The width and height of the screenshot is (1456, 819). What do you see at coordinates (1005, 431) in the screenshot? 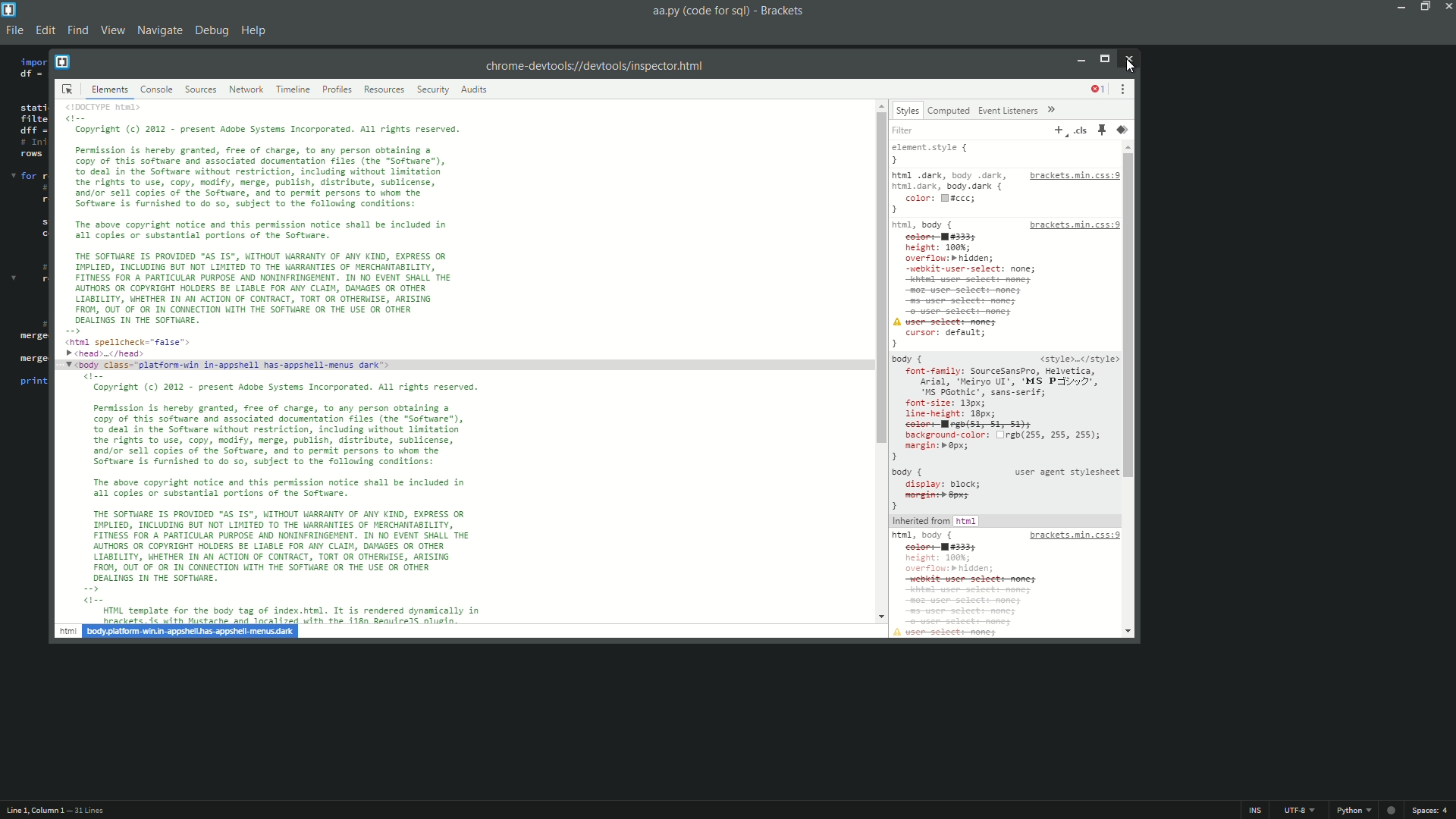
I see `body { <style>_</style>
font-family: SourceSansPro, Helvetica,
Arial, ‘Meiryo UI', "MS Pv’,
*MS PGothic’, sans-serif;
font-size: 13px;
line-height: 18px;
estore fllngh(53; 51, 513+
background-color: [Irgb(255, 255, 255);
margin: > 0px;
3
body { user agent stylesheet
display: block;
EE` at bounding box center [1005, 431].